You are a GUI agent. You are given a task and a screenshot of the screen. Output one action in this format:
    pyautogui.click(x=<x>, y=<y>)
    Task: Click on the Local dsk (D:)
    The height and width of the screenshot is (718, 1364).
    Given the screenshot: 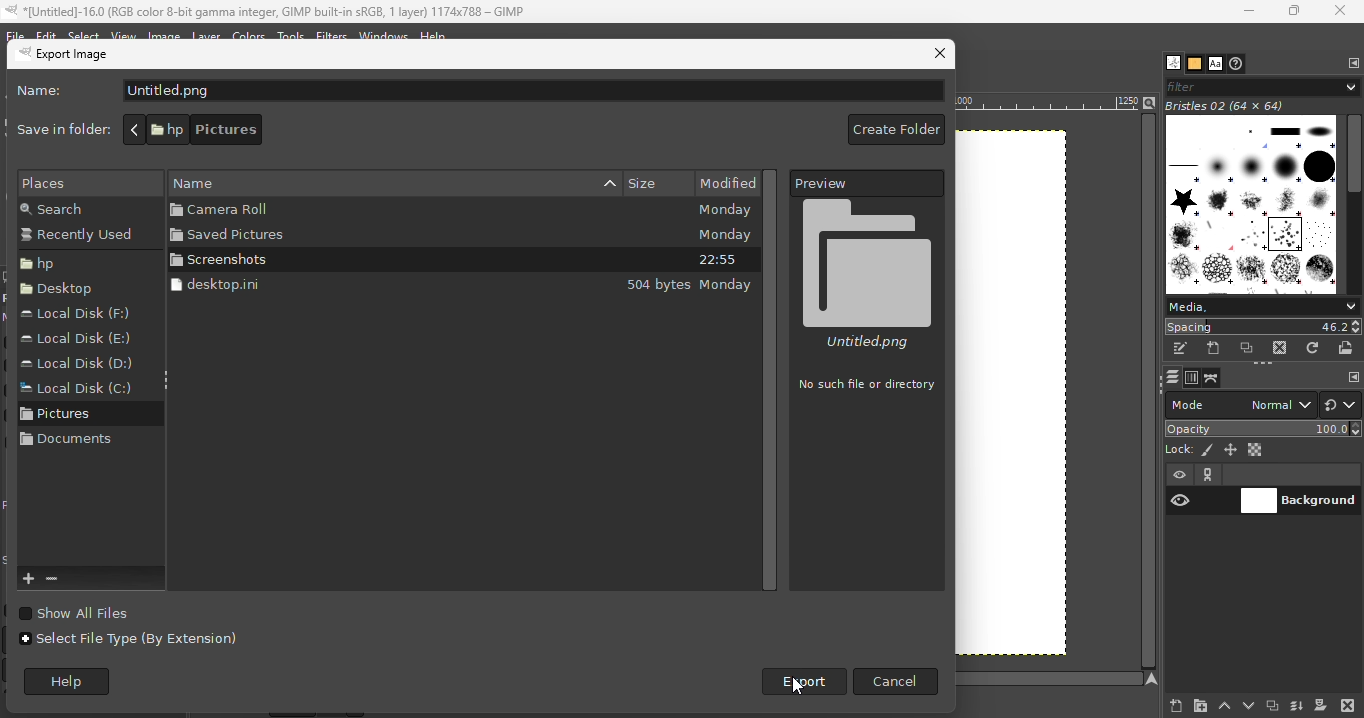 What is the action you would take?
    pyautogui.click(x=81, y=363)
    